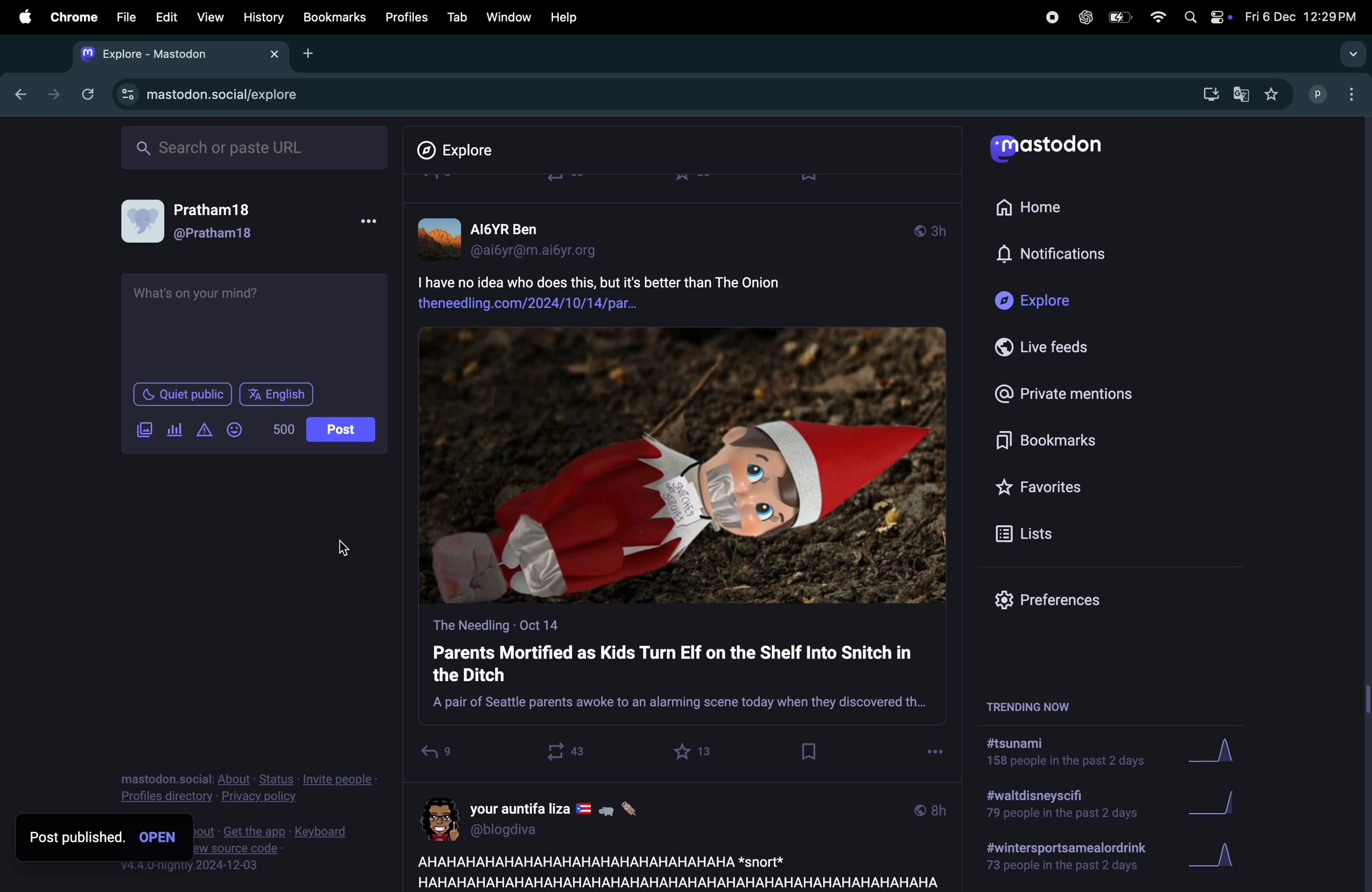 The height and width of the screenshot is (892, 1372). What do you see at coordinates (673, 870) in the screenshot?
I see `post` at bounding box center [673, 870].